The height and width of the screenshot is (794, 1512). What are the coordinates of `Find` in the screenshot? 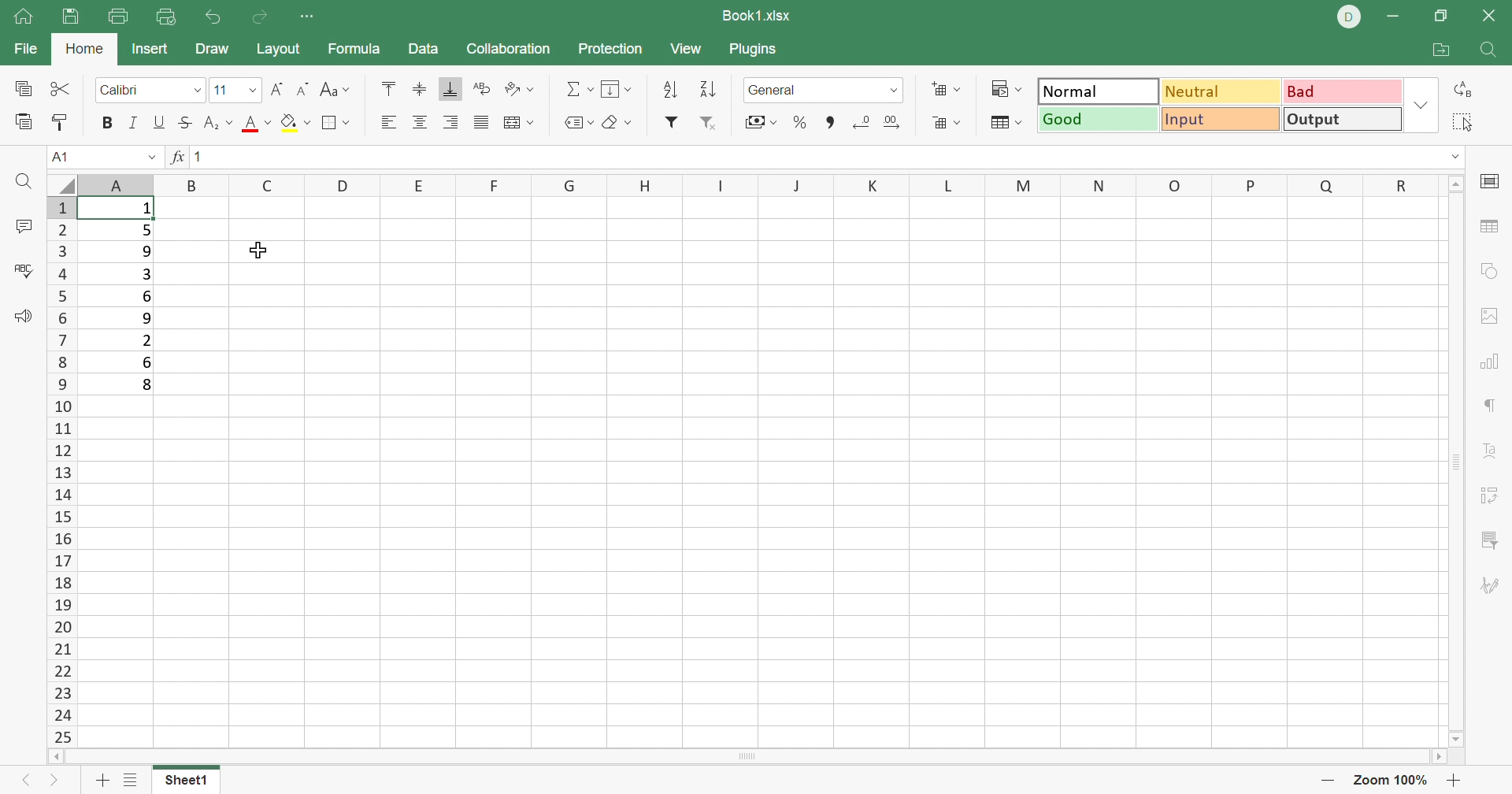 It's located at (24, 184).